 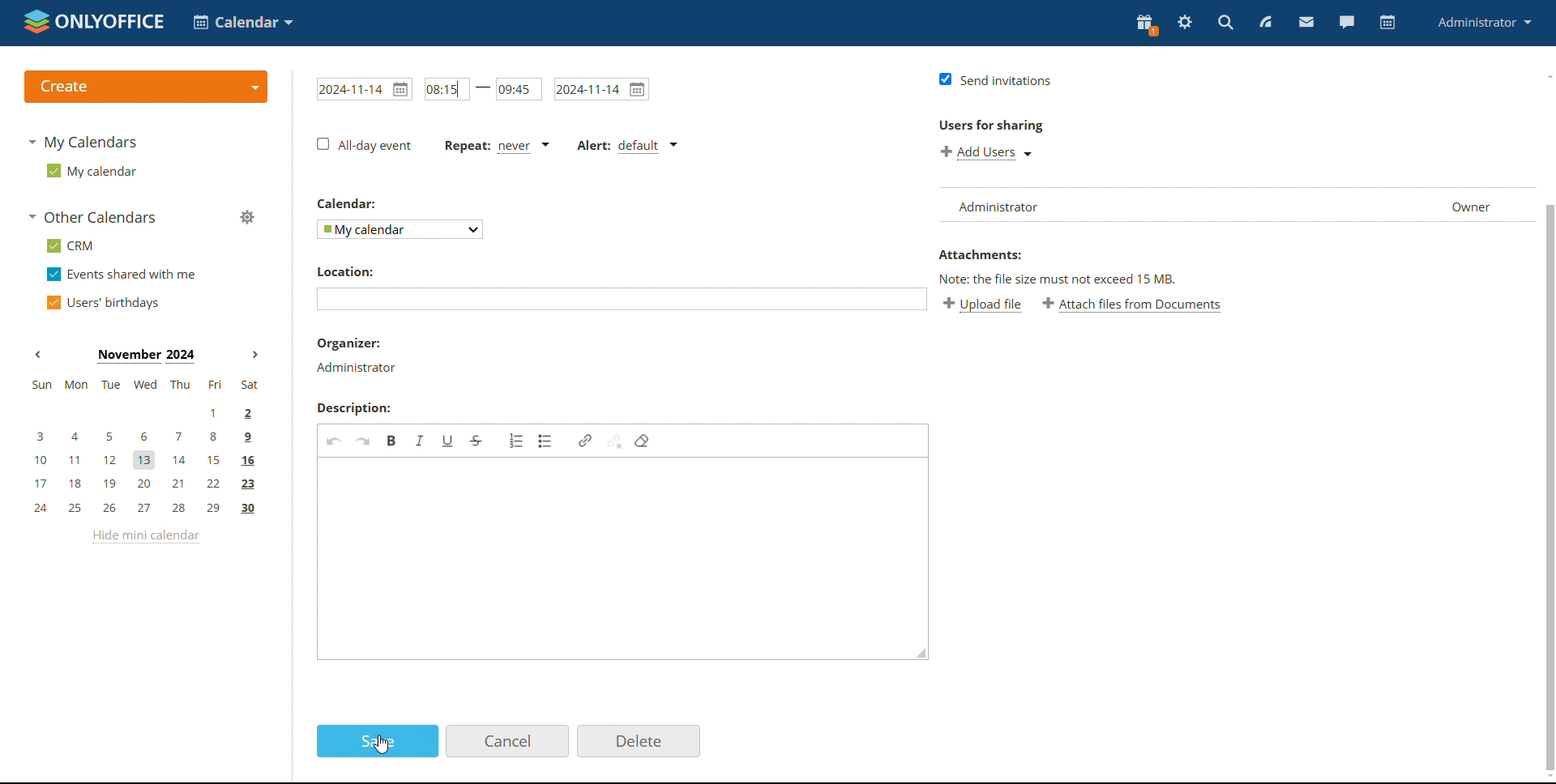 What do you see at coordinates (123, 275) in the screenshot?
I see `events shared with me` at bounding box center [123, 275].